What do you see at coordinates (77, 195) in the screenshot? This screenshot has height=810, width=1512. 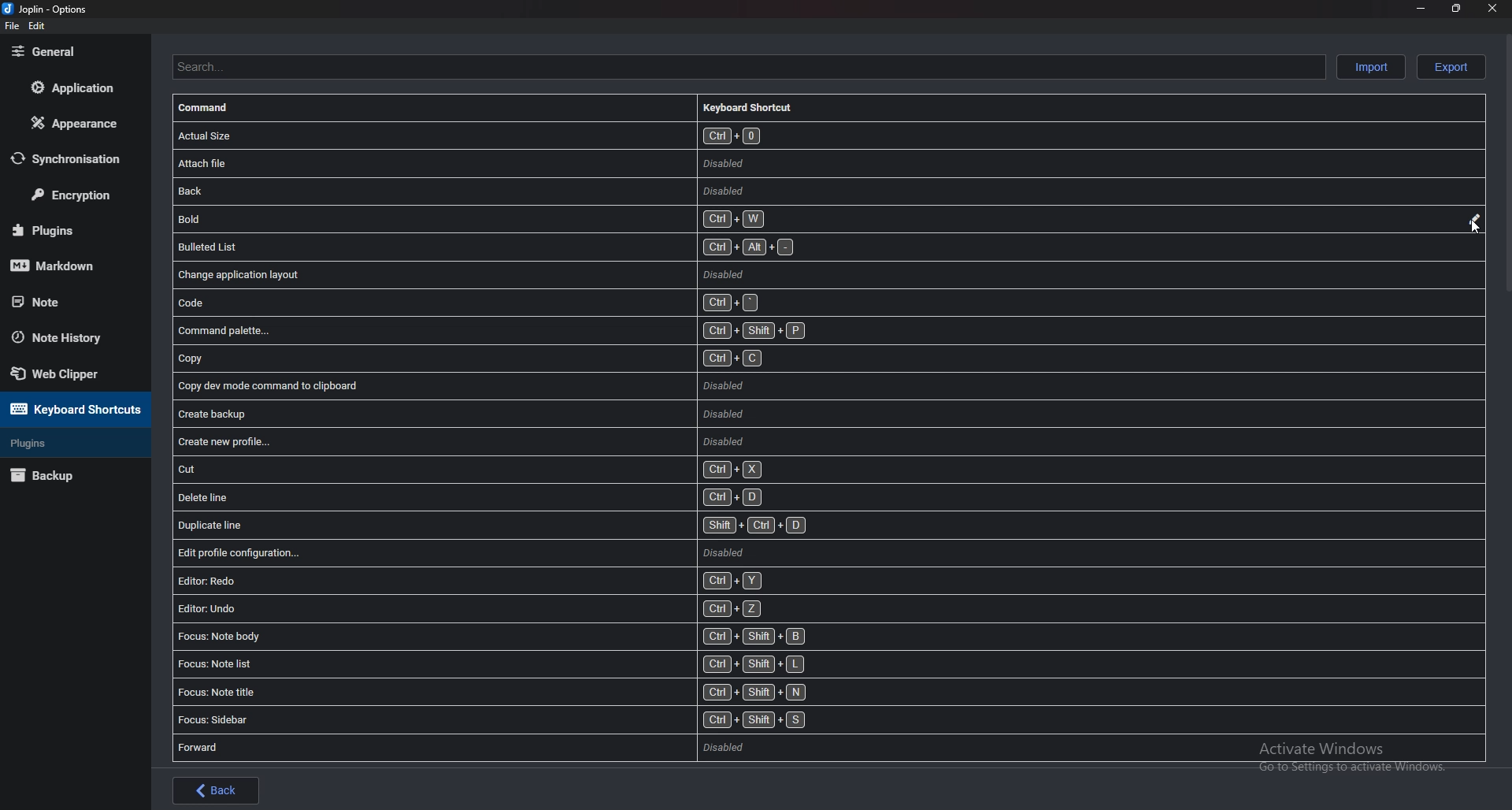 I see `Encryption` at bounding box center [77, 195].